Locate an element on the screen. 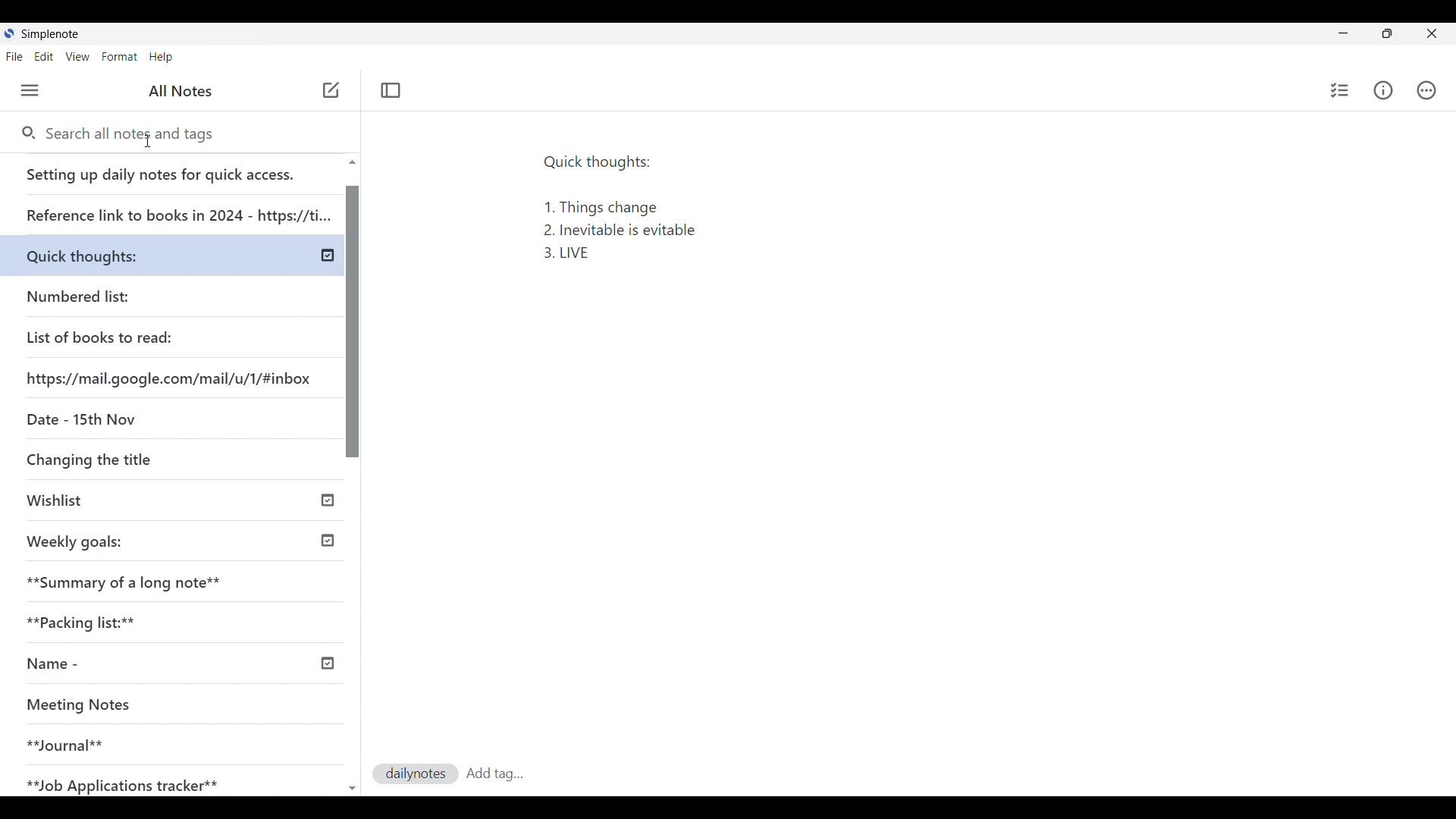 This screenshot has width=1456, height=819. File menu is located at coordinates (14, 57).